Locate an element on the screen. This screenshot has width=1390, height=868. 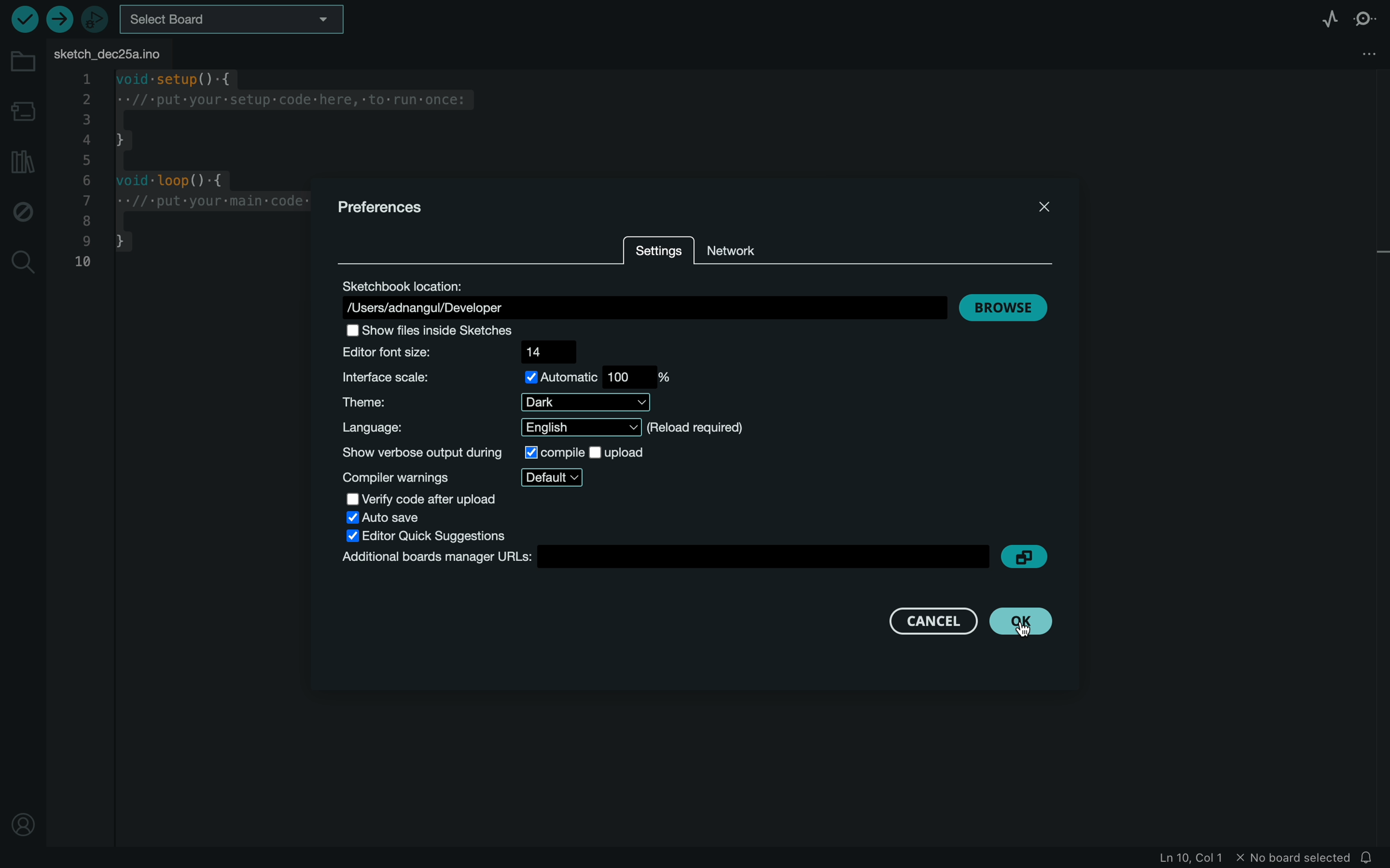
network is located at coordinates (770, 246).